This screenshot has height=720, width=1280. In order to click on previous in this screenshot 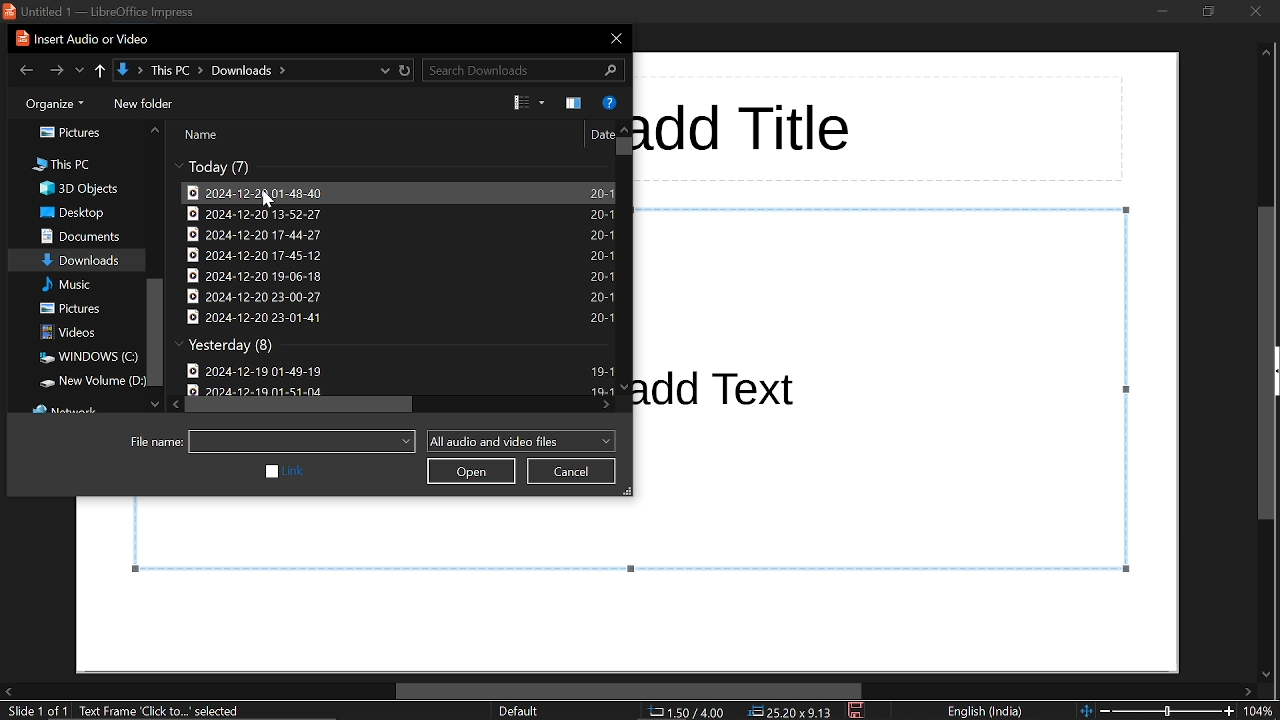, I will do `click(23, 69)`.